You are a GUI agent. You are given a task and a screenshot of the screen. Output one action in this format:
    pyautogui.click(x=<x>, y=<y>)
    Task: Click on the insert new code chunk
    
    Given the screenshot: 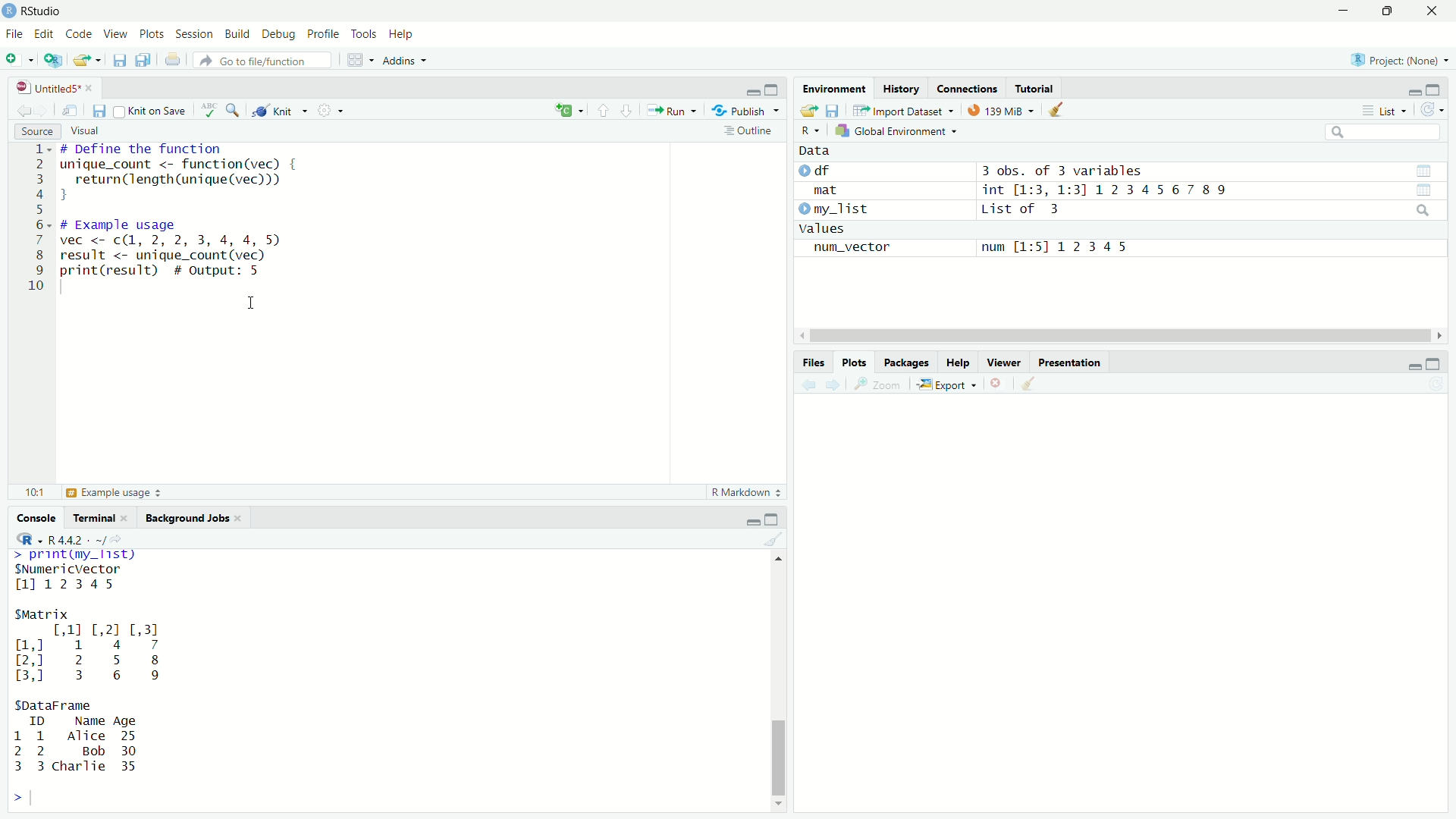 What is the action you would take?
    pyautogui.click(x=567, y=111)
    